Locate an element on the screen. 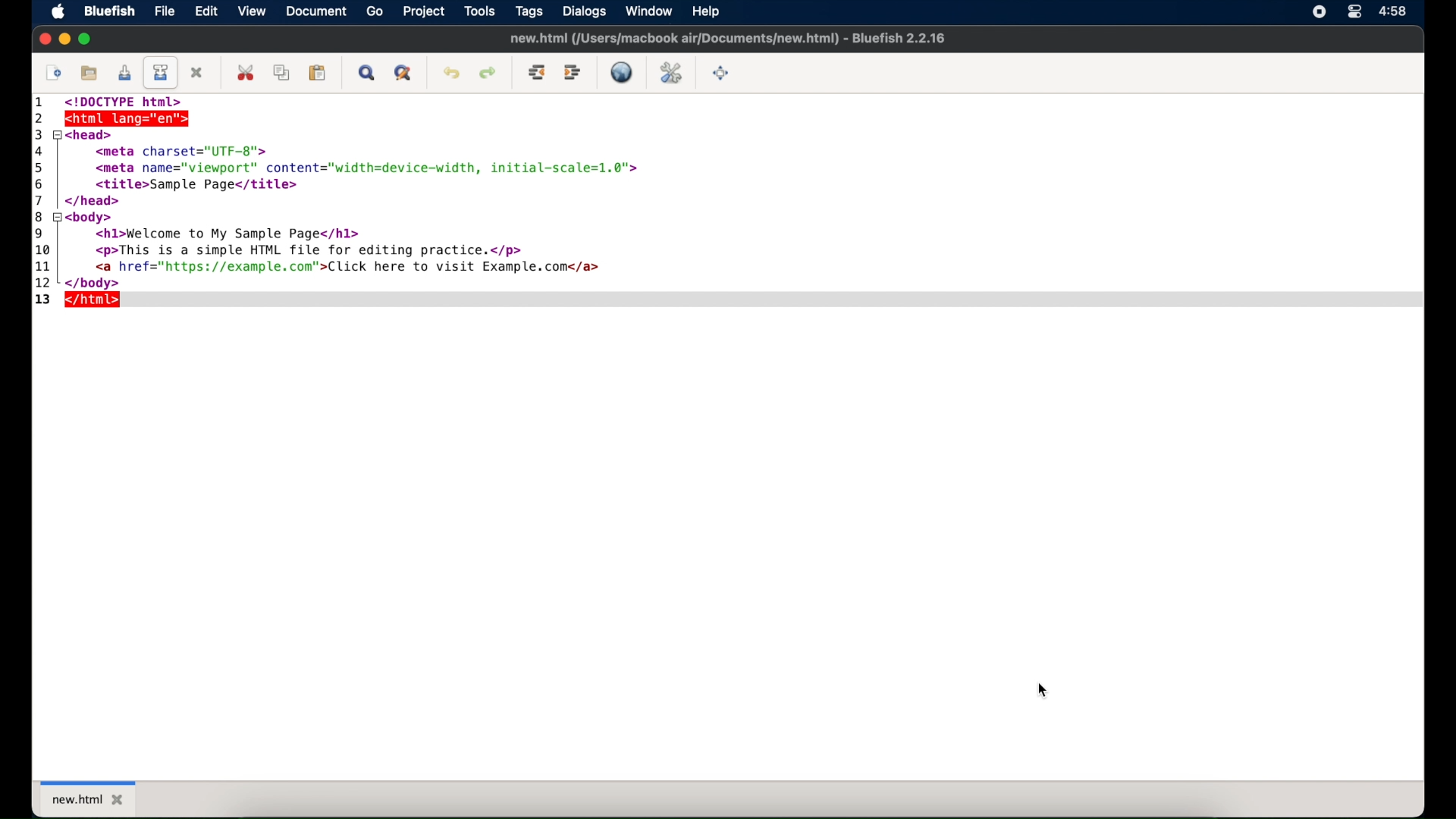  indent is located at coordinates (573, 73).